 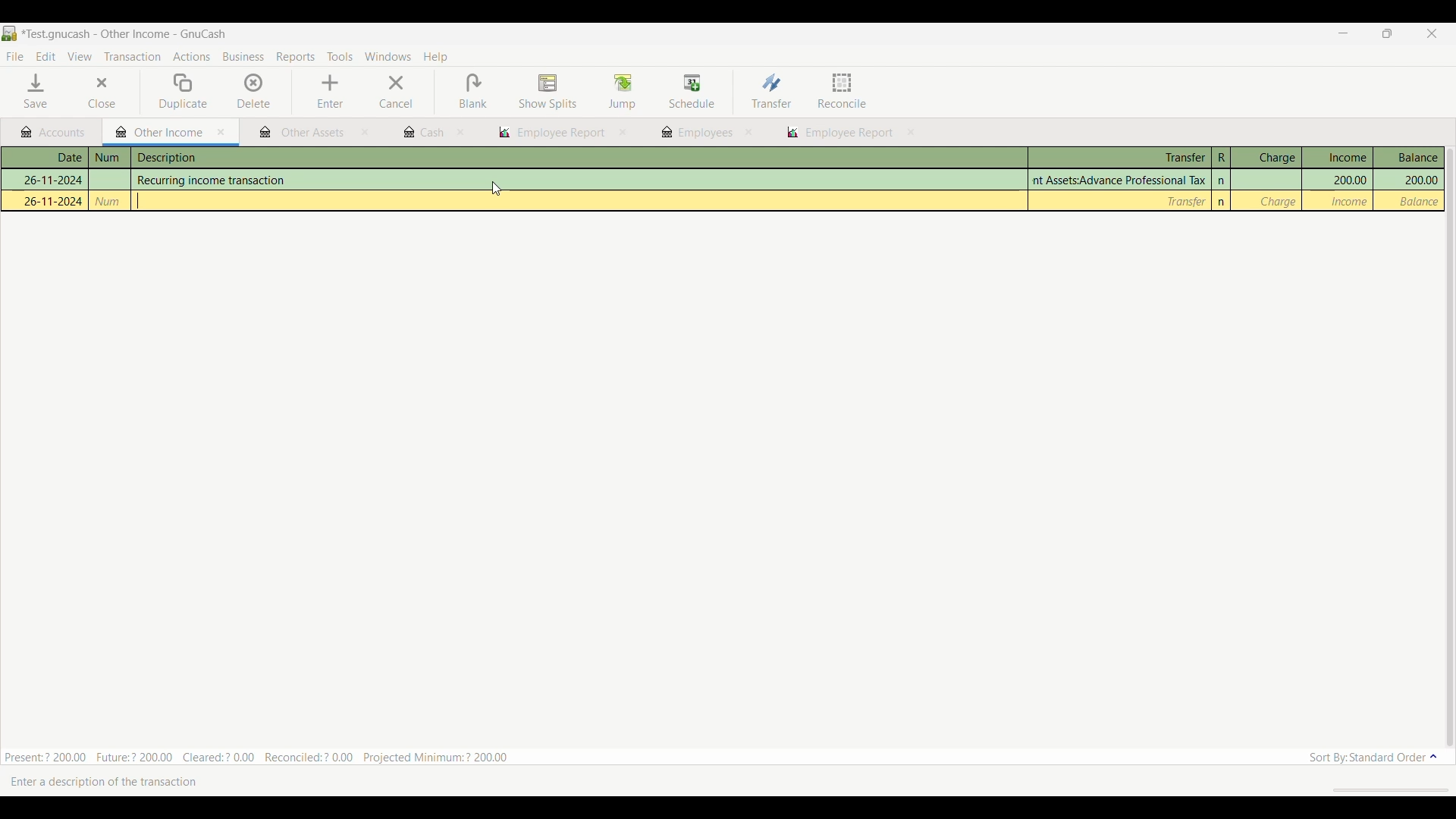 What do you see at coordinates (422, 133) in the screenshot?
I see `cash` at bounding box center [422, 133].